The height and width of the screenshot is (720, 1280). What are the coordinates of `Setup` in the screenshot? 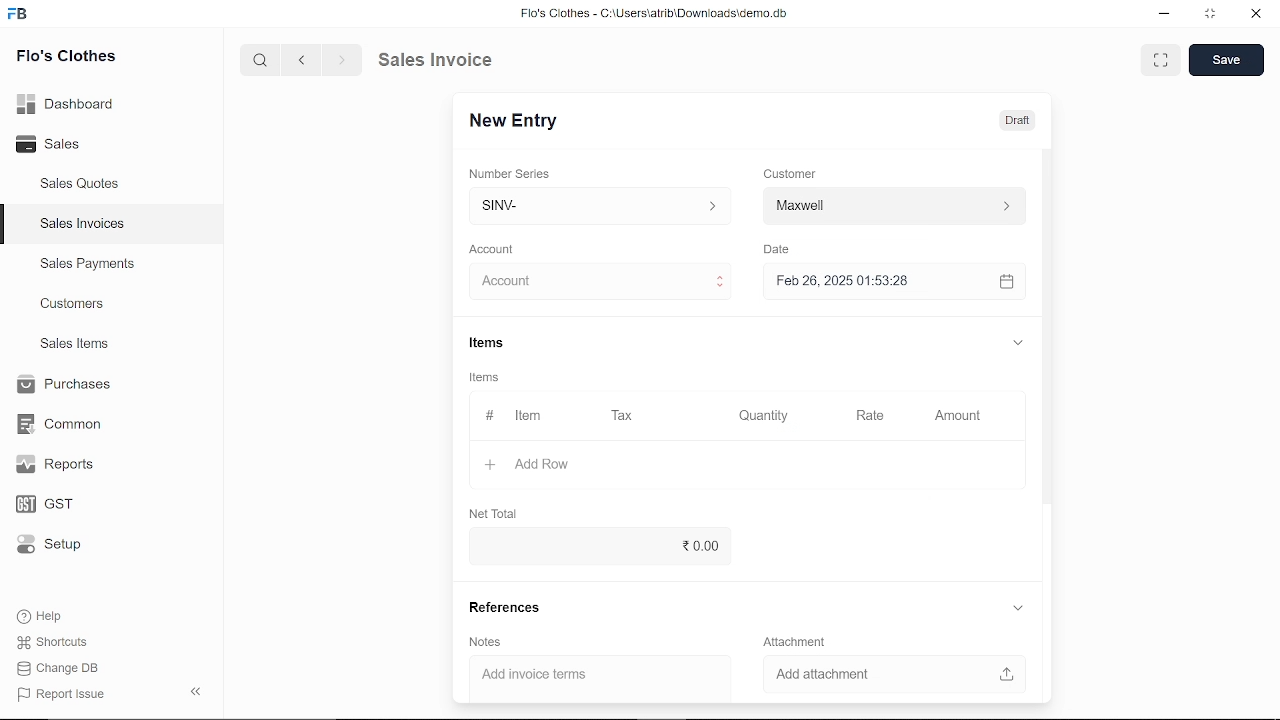 It's located at (63, 546).